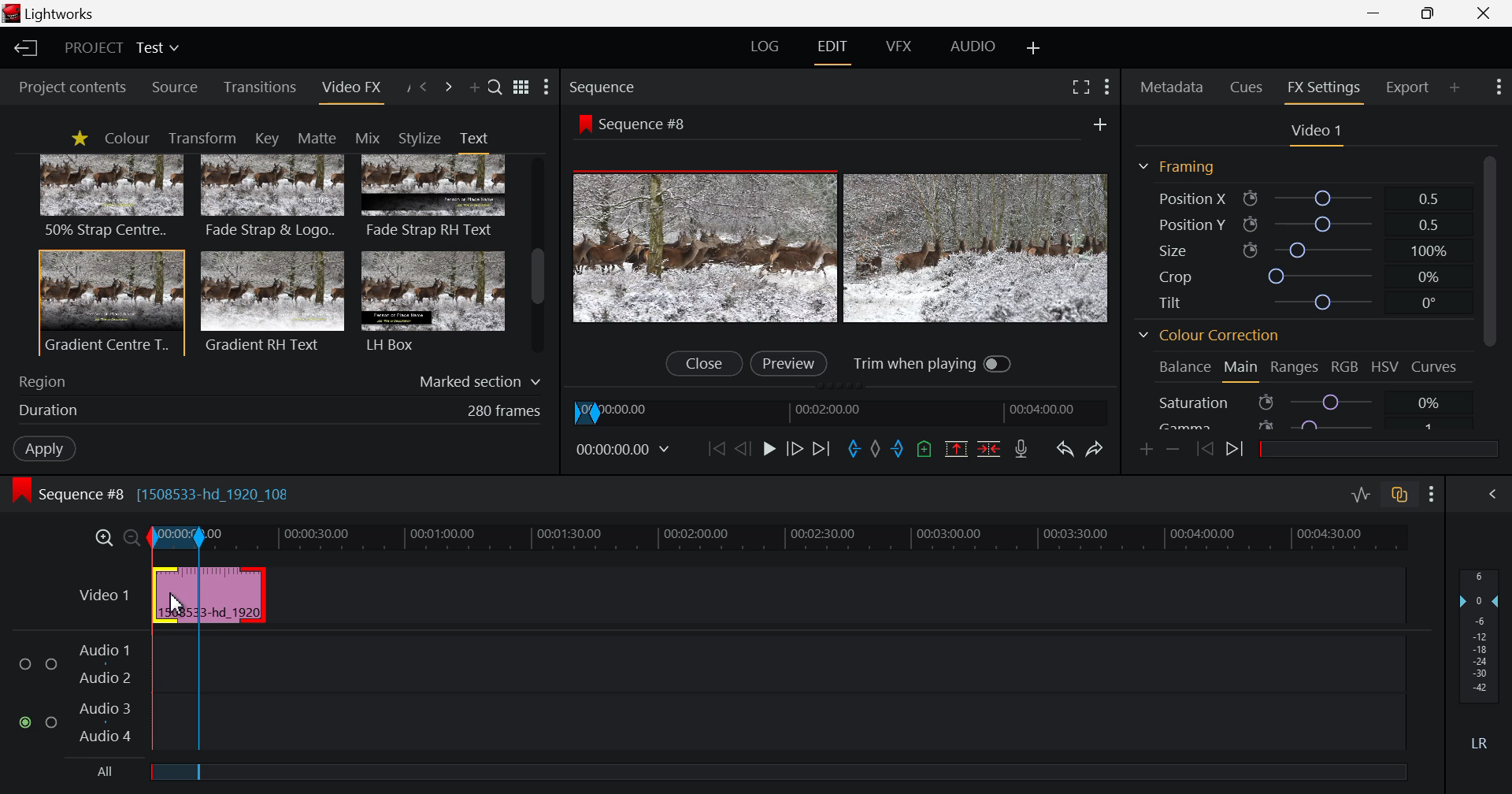  I want to click on Restore Down, so click(1377, 13).